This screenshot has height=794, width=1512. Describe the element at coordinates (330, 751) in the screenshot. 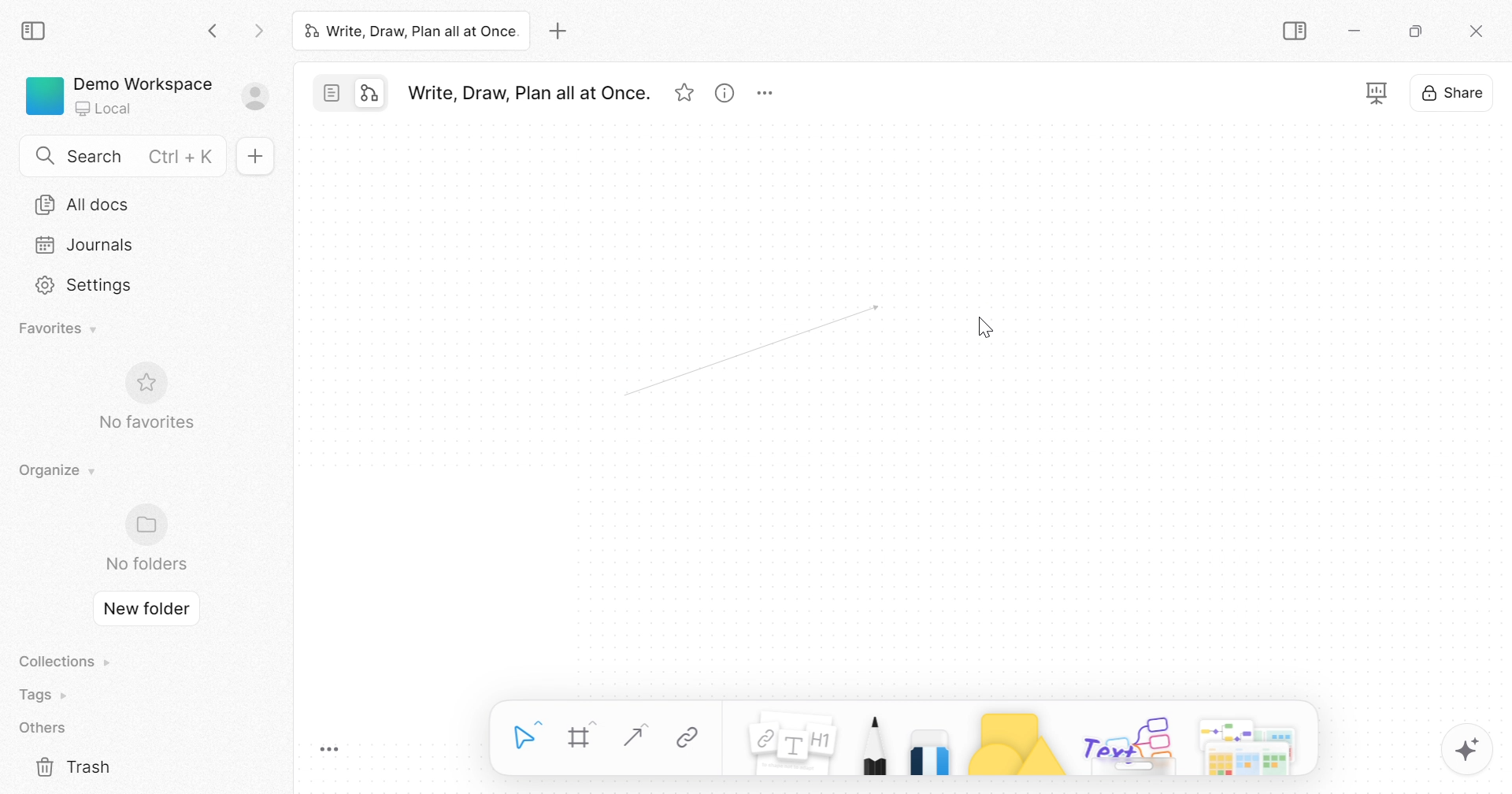

I see `Toggle Zoom Tool Bar` at that location.